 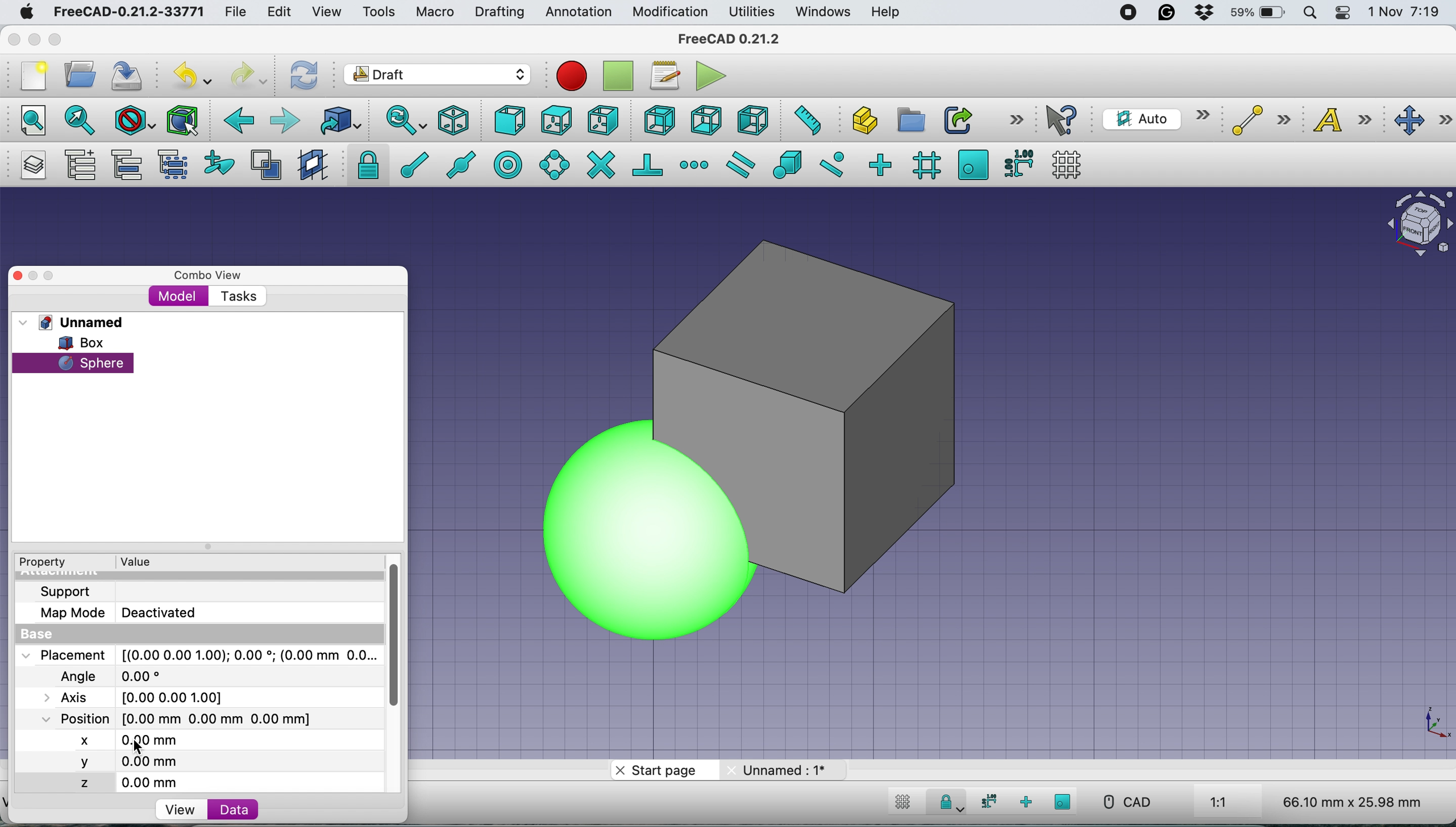 I want to click on snap extension, so click(x=696, y=165).